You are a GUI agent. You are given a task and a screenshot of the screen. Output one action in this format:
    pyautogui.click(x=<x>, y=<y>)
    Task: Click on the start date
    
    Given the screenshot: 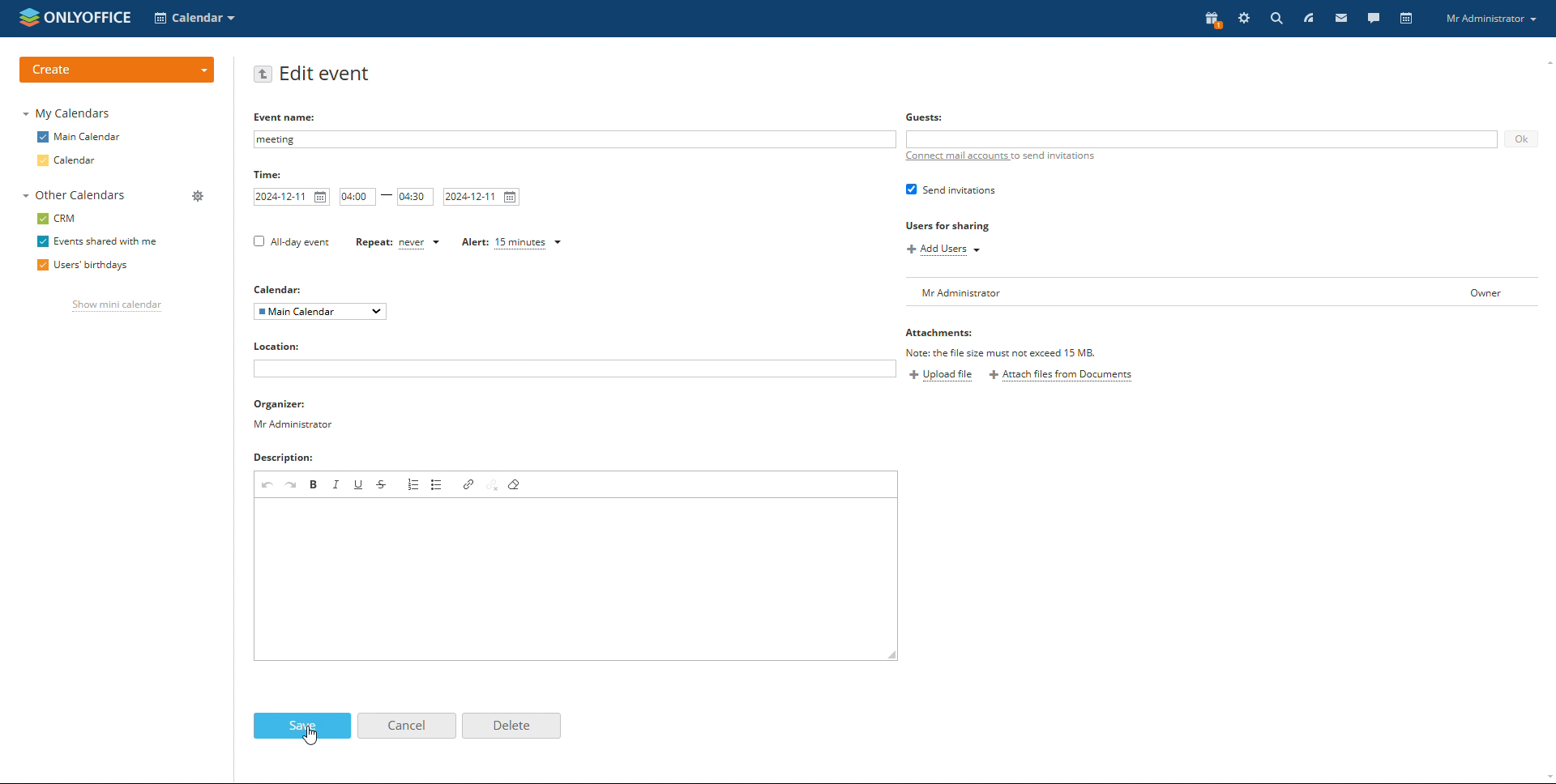 What is the action you would take?
    pyautogui.click(x=291, y=197)
    